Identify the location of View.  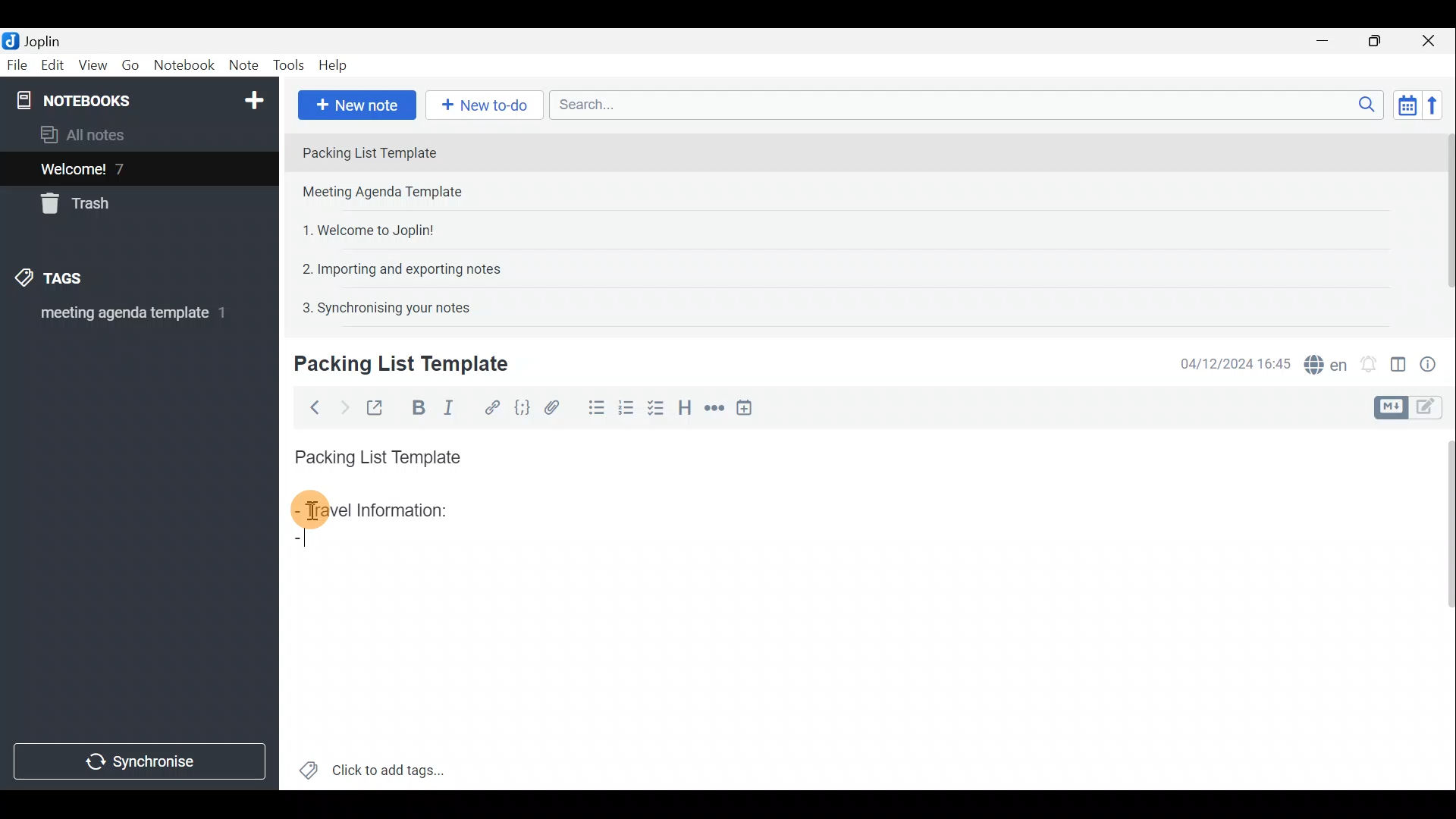
(94, 65).